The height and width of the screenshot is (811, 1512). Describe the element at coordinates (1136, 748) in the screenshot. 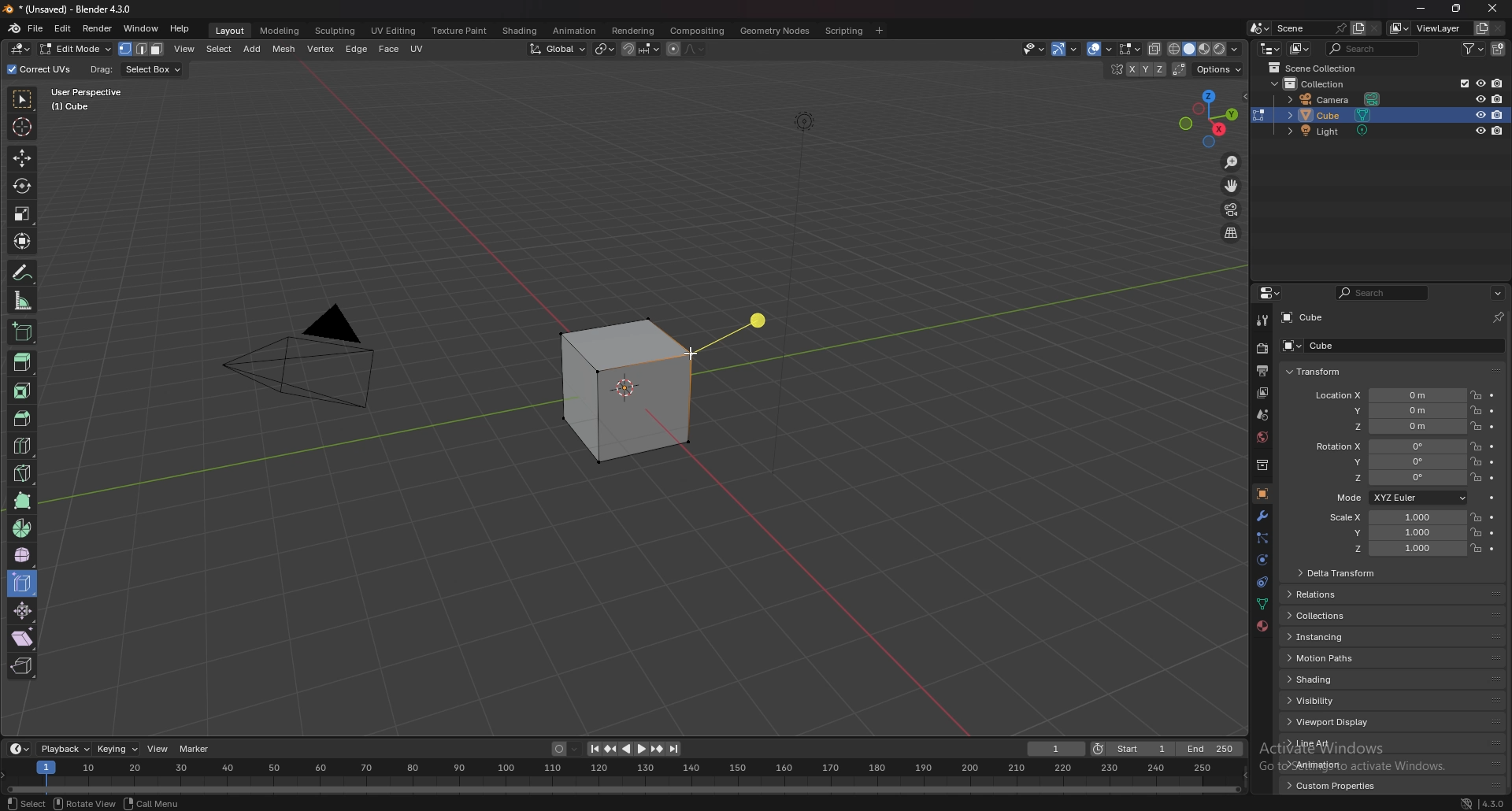

I see `start frame` at that location.